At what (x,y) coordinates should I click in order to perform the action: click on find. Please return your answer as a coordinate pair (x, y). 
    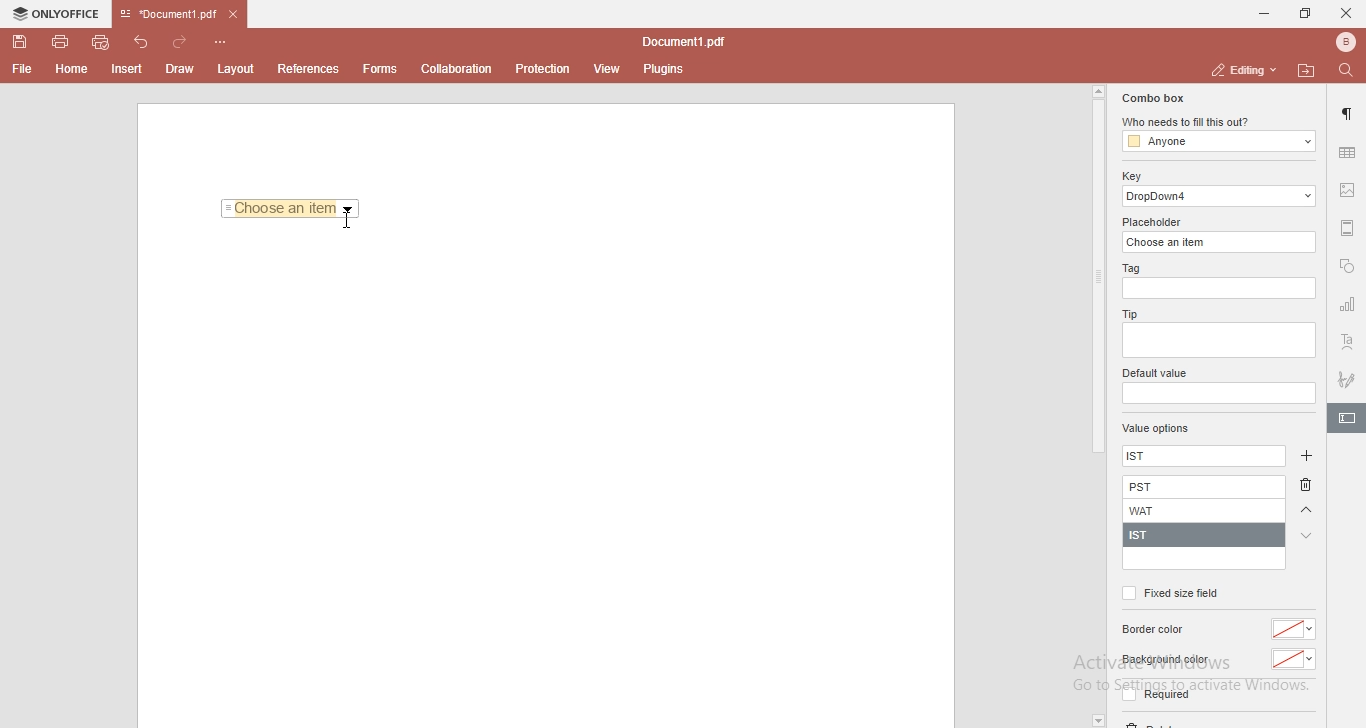
    Looking at the image, I should click on (1350, 69).